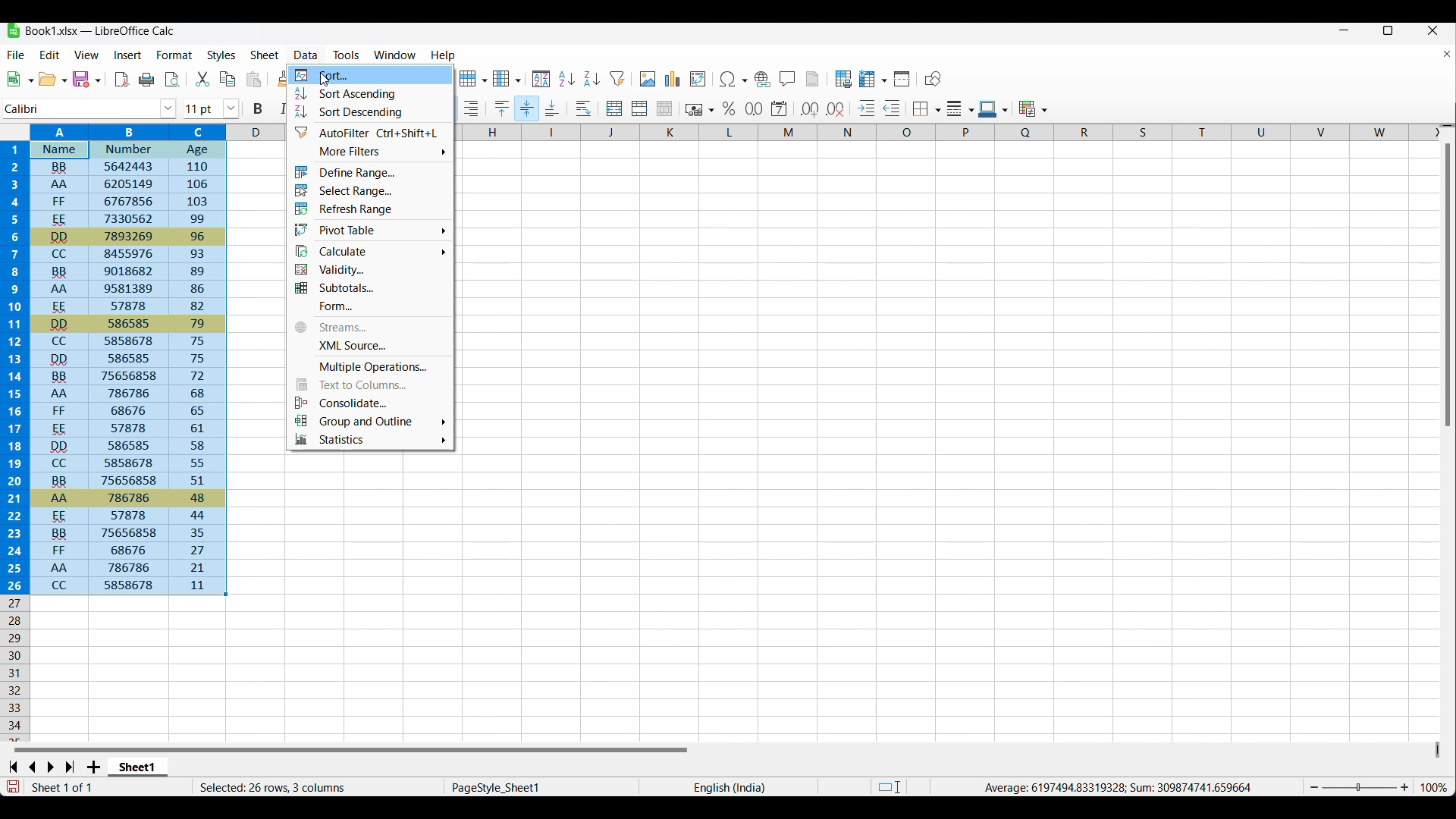  I want to click on Toggle print preview, so click(174, 80).